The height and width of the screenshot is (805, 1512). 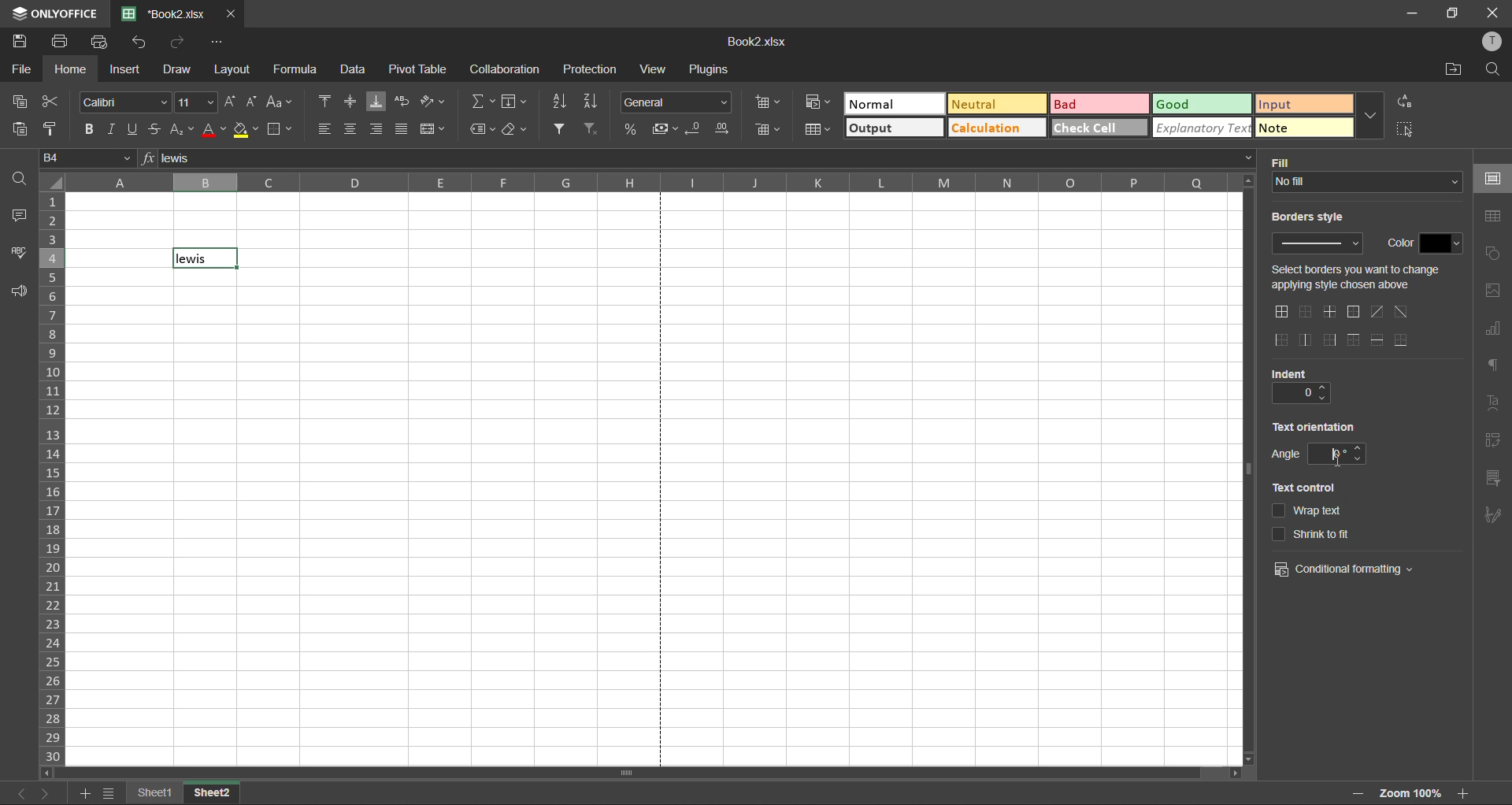 What do you see at coordinates (1302, 129) in the screenshot?
I see `note` at bounding box center [1302, 129].